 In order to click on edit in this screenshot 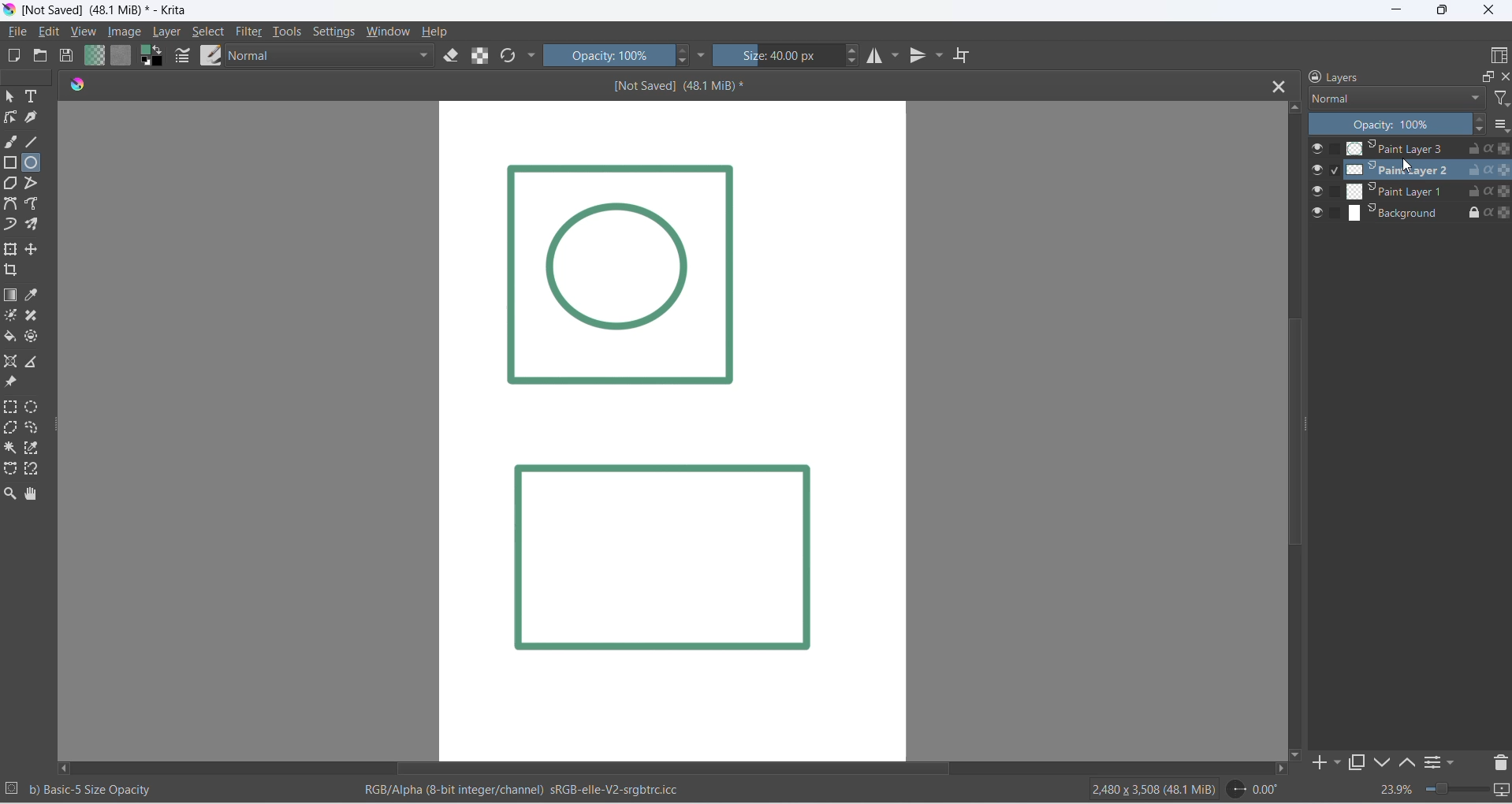, I will do `click(48, 32)`.